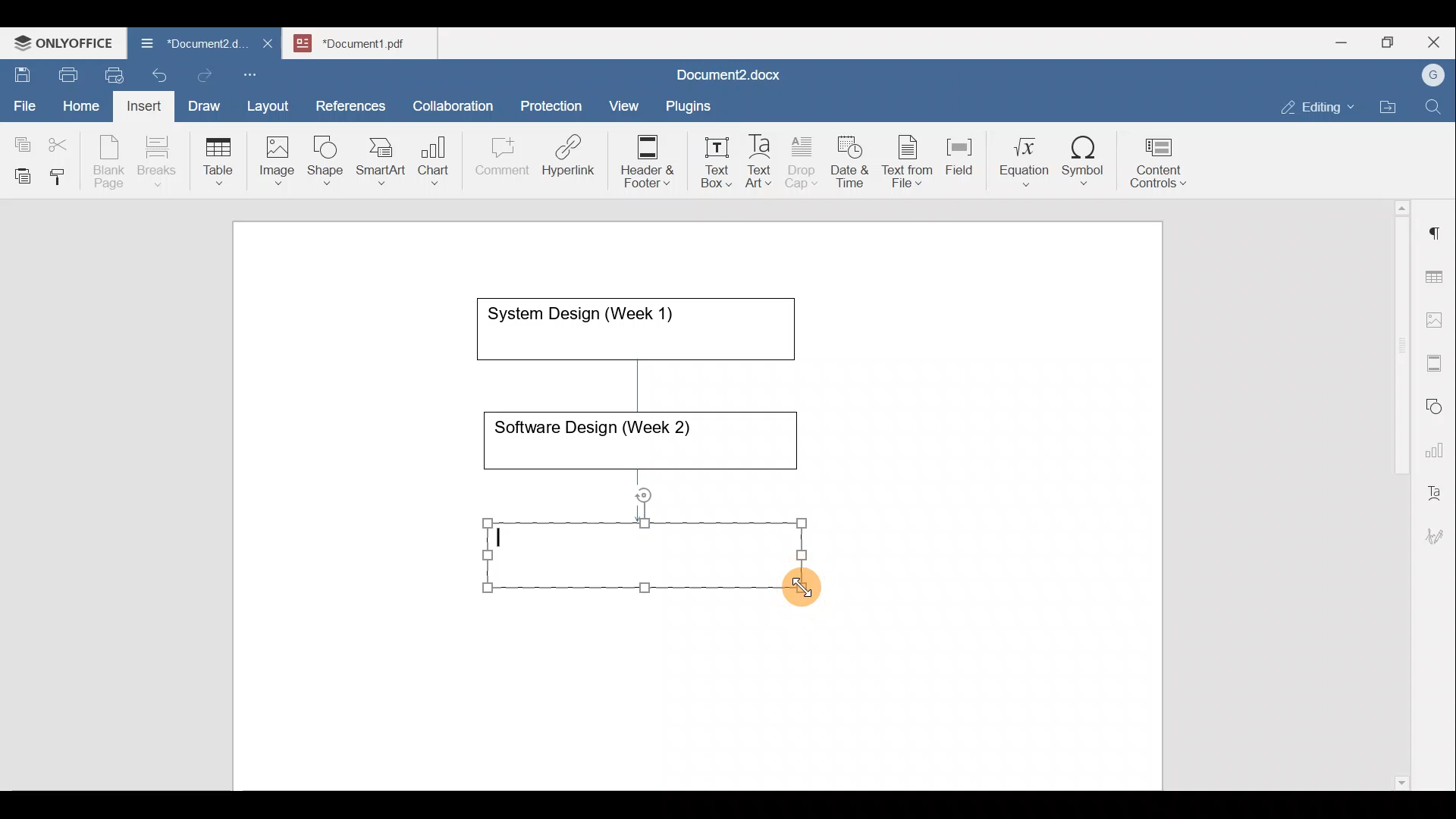  Describe the element at coordinates (21, 71) in the screenshot. I see `Save` at that location.